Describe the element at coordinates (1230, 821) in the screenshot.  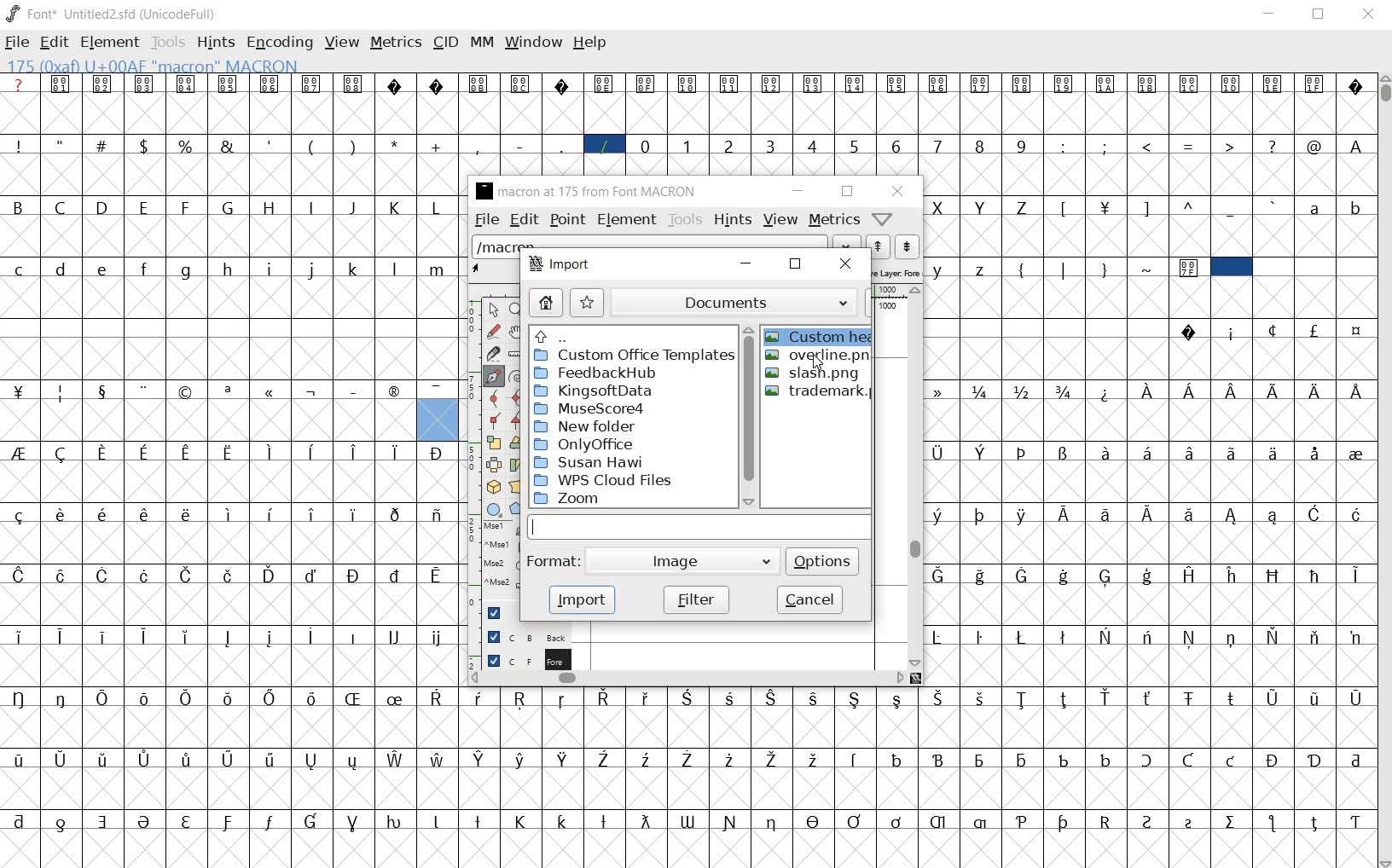
I see `Symbol` at that location.